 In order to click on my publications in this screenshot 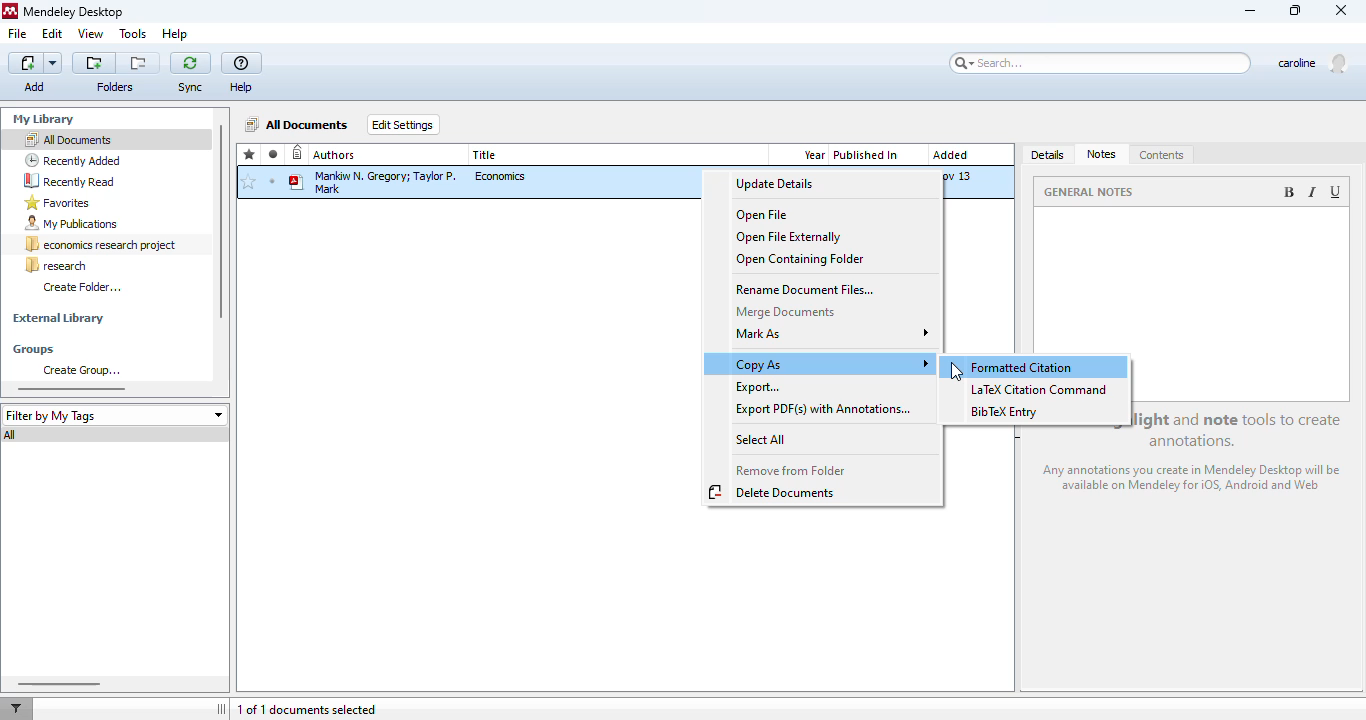, I will do `click(72, 224)`.